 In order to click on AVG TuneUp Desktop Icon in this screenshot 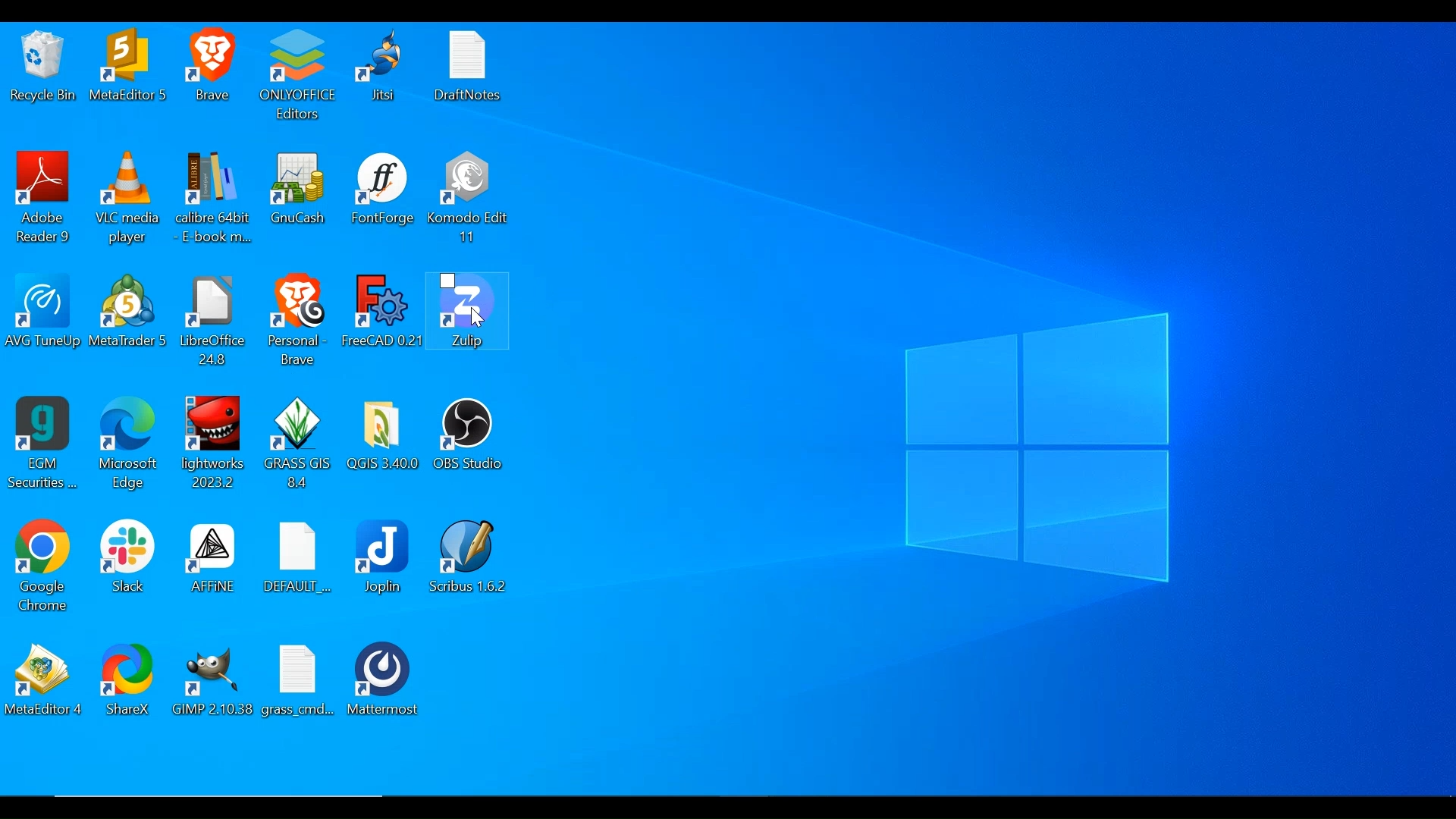, I will do `click(42, 312)`.